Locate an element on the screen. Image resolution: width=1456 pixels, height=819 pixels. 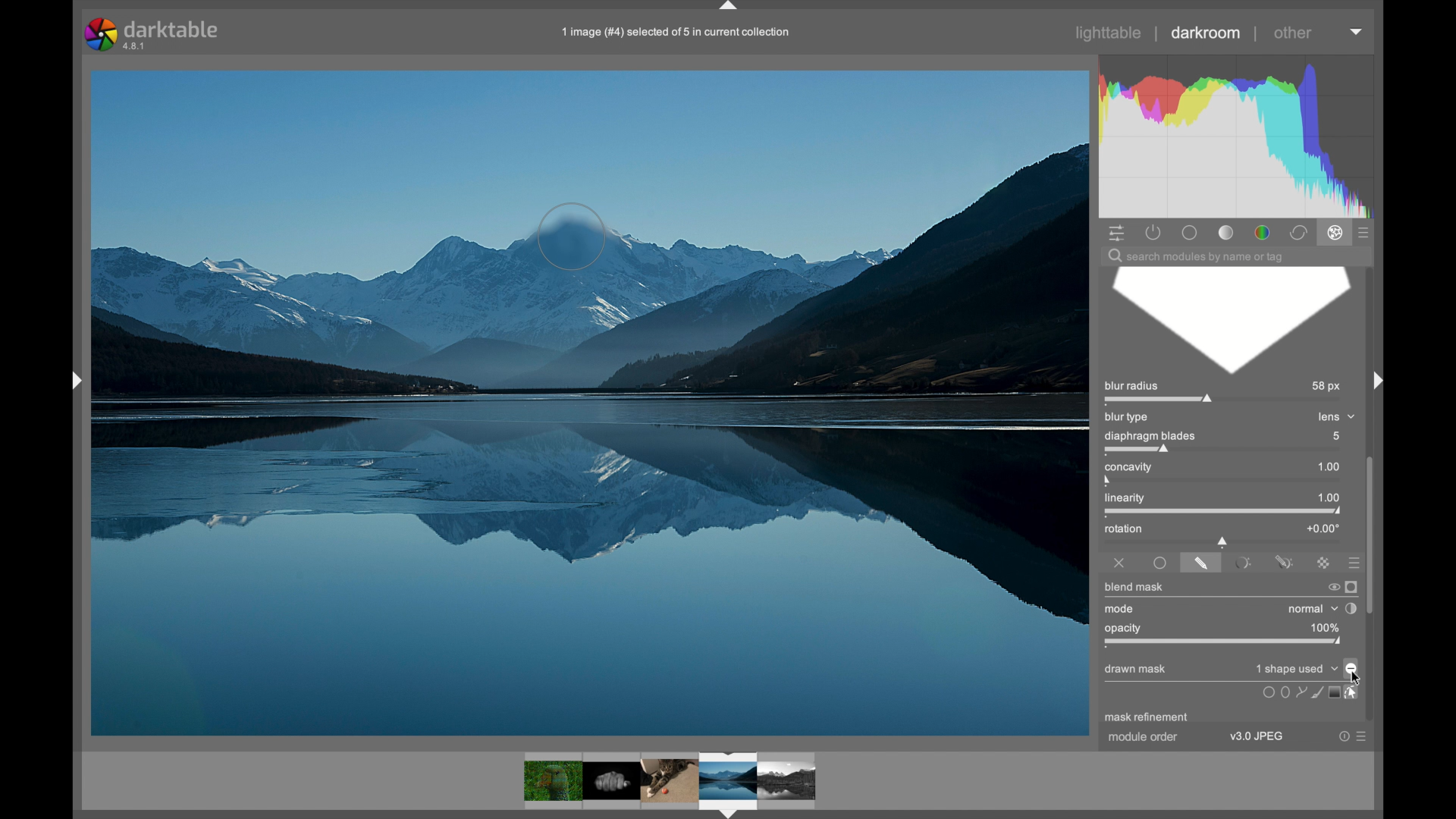
opacity is located at coordinates (1222, 643).